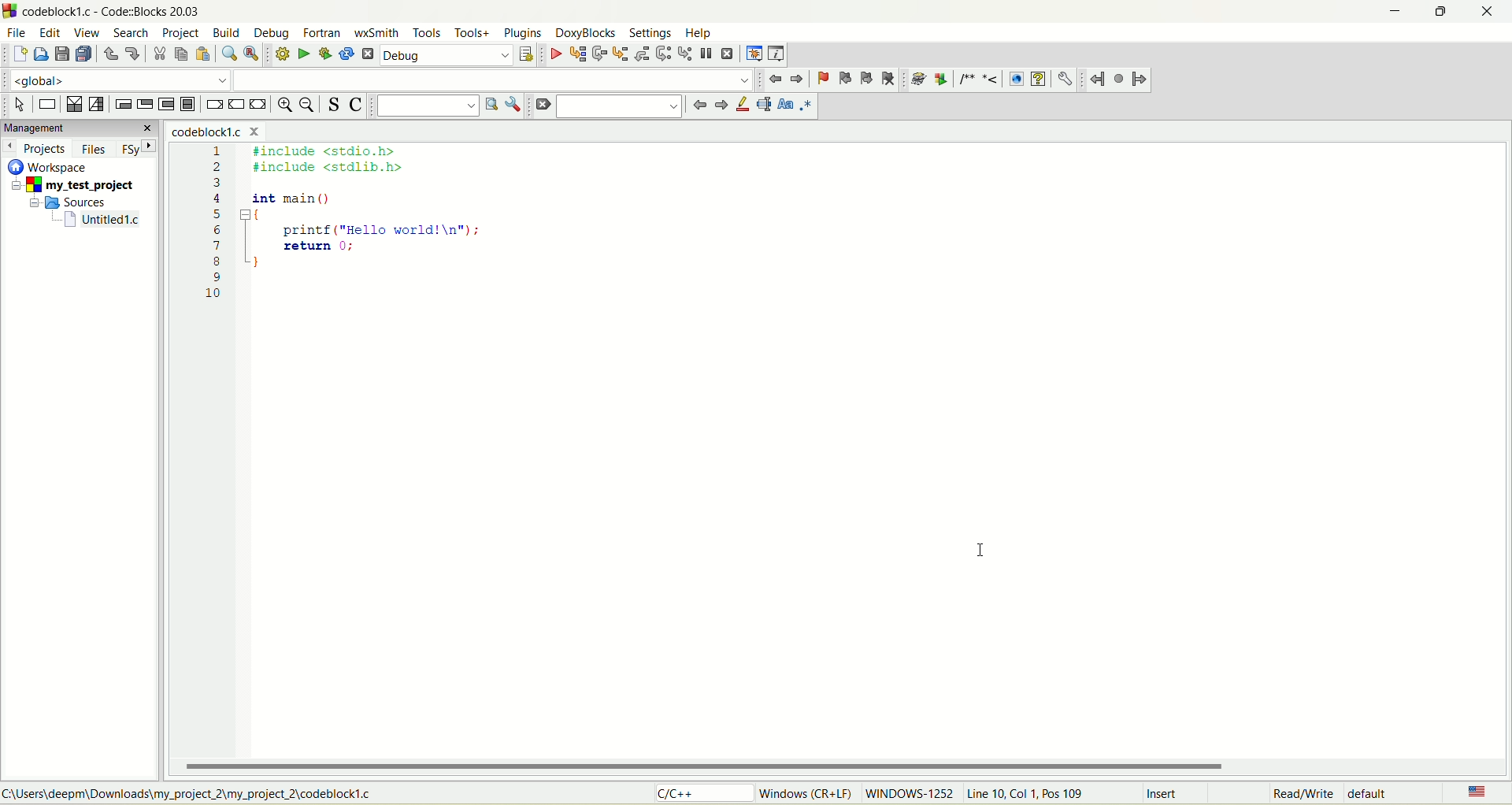  I want to click on zoom out, so click(309, 106).